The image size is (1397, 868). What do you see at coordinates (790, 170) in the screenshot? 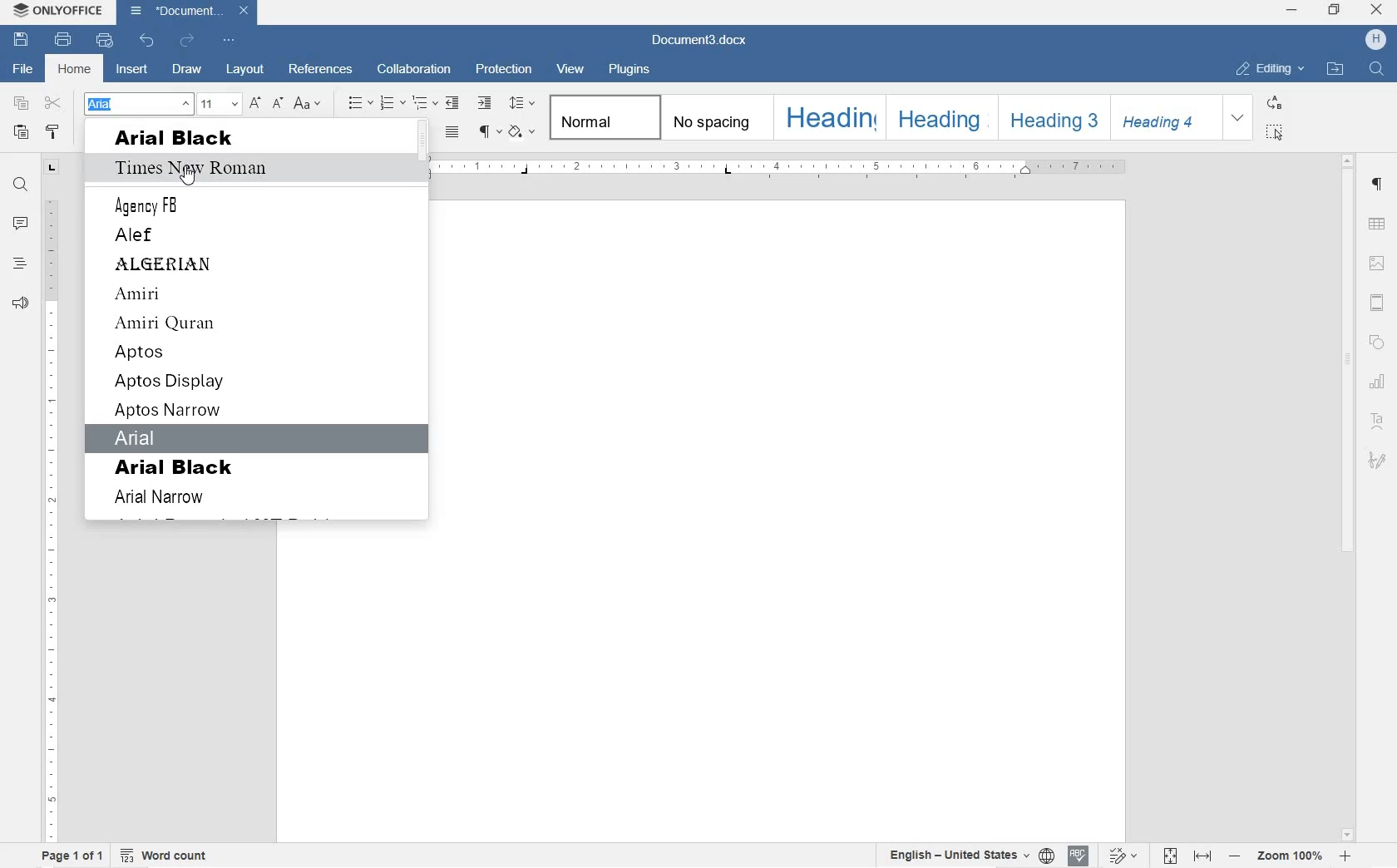
I see `RULER` at bounding box center [790, 170].